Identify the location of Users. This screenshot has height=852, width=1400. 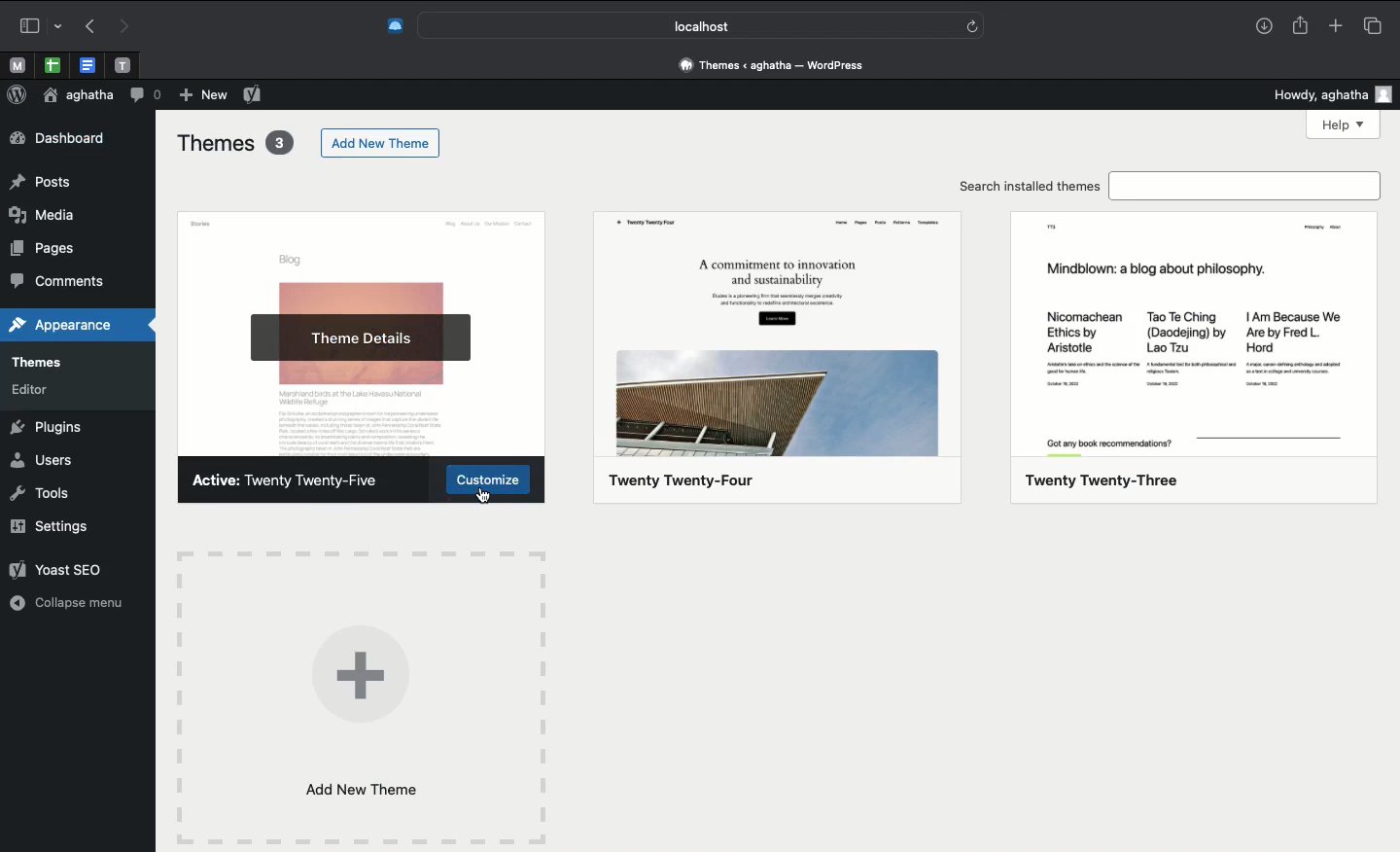
(43, 462).